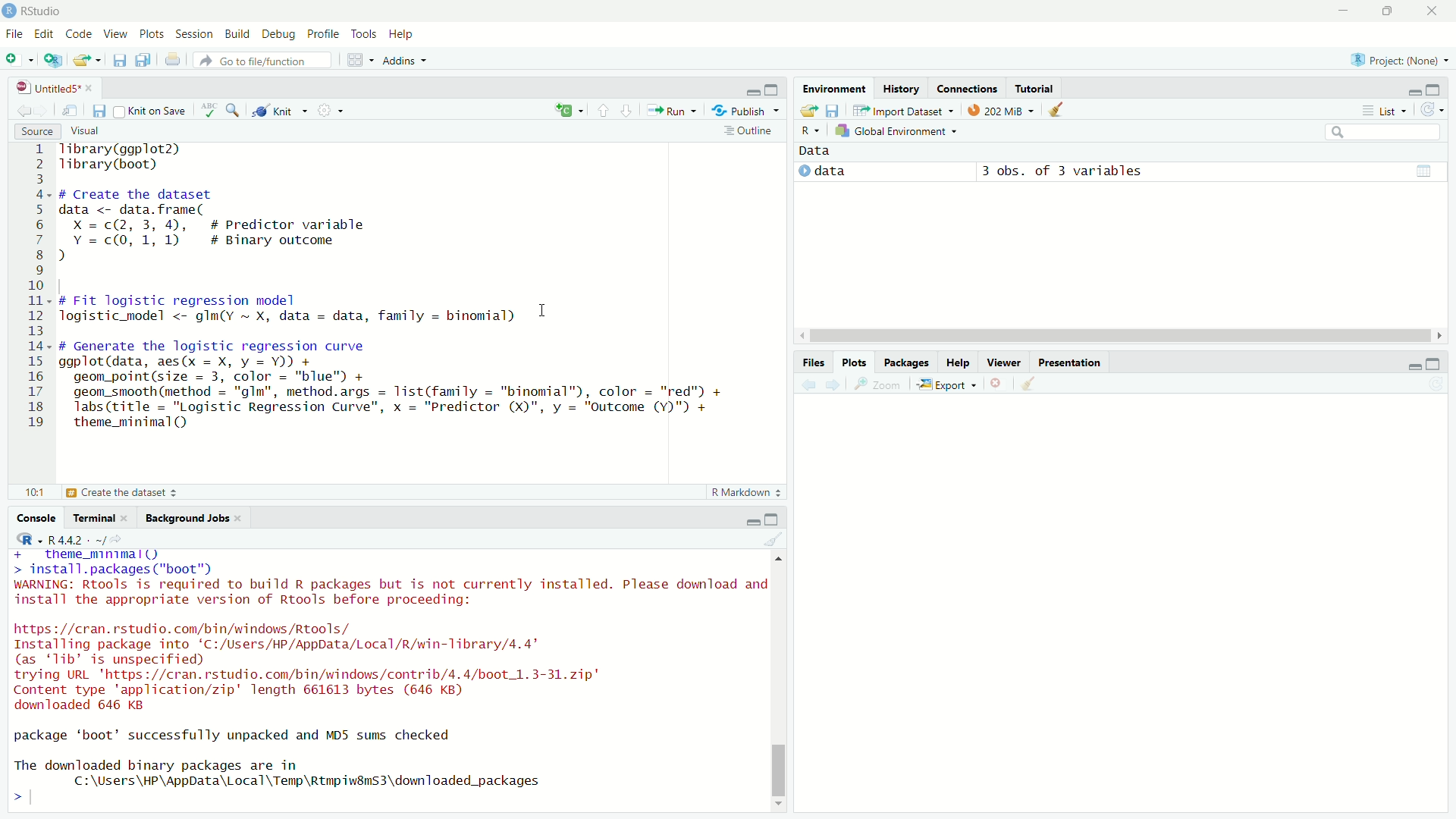  Describe the element at coordinates (237, 33) in the screenshot. I see `Build` at that location.